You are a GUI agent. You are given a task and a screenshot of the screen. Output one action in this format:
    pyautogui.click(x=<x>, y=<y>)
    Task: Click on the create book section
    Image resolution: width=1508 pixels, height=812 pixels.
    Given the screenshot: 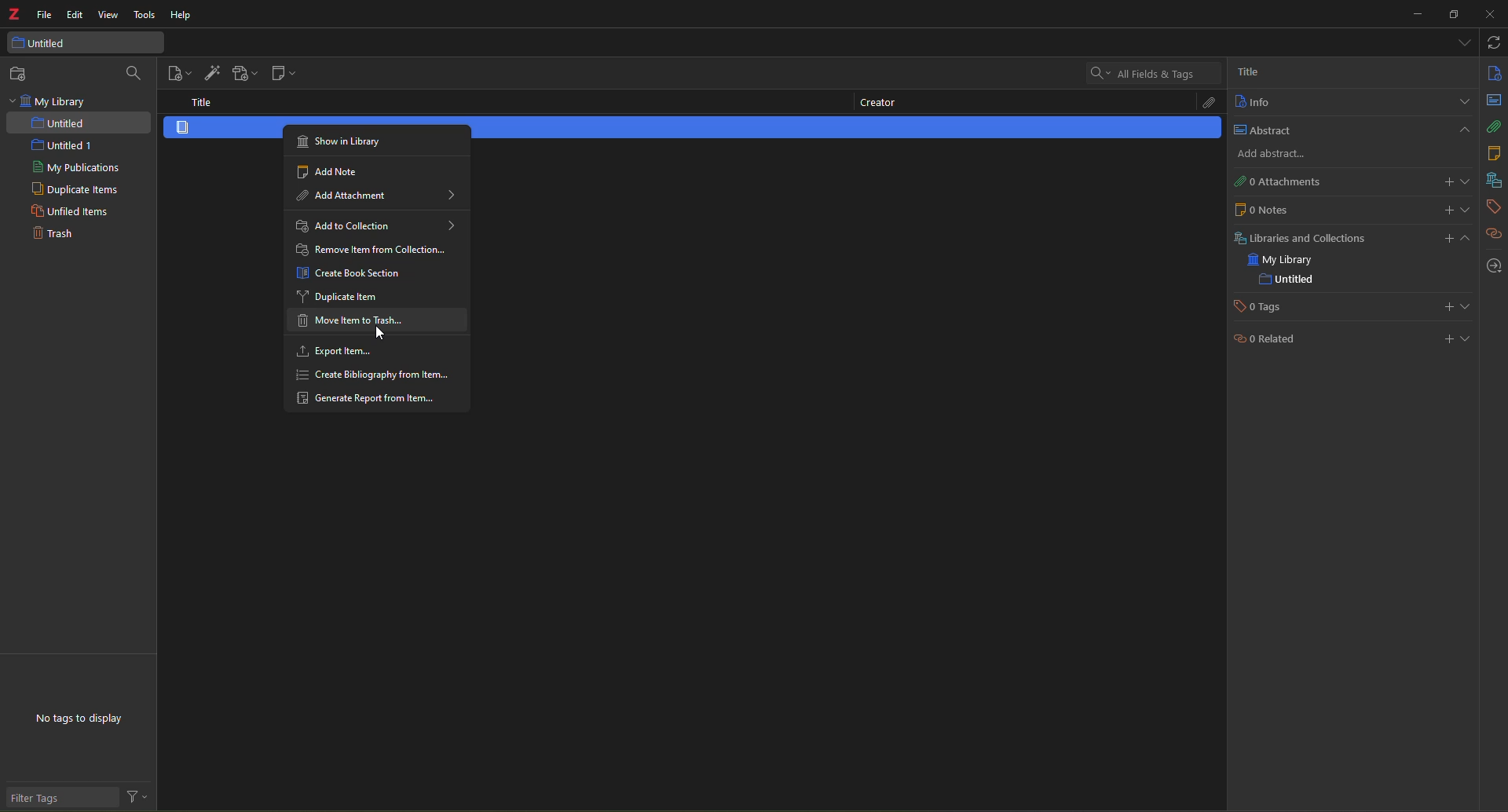 What is the action you would take?
    pyautogui.click(x=354, y=273)
    